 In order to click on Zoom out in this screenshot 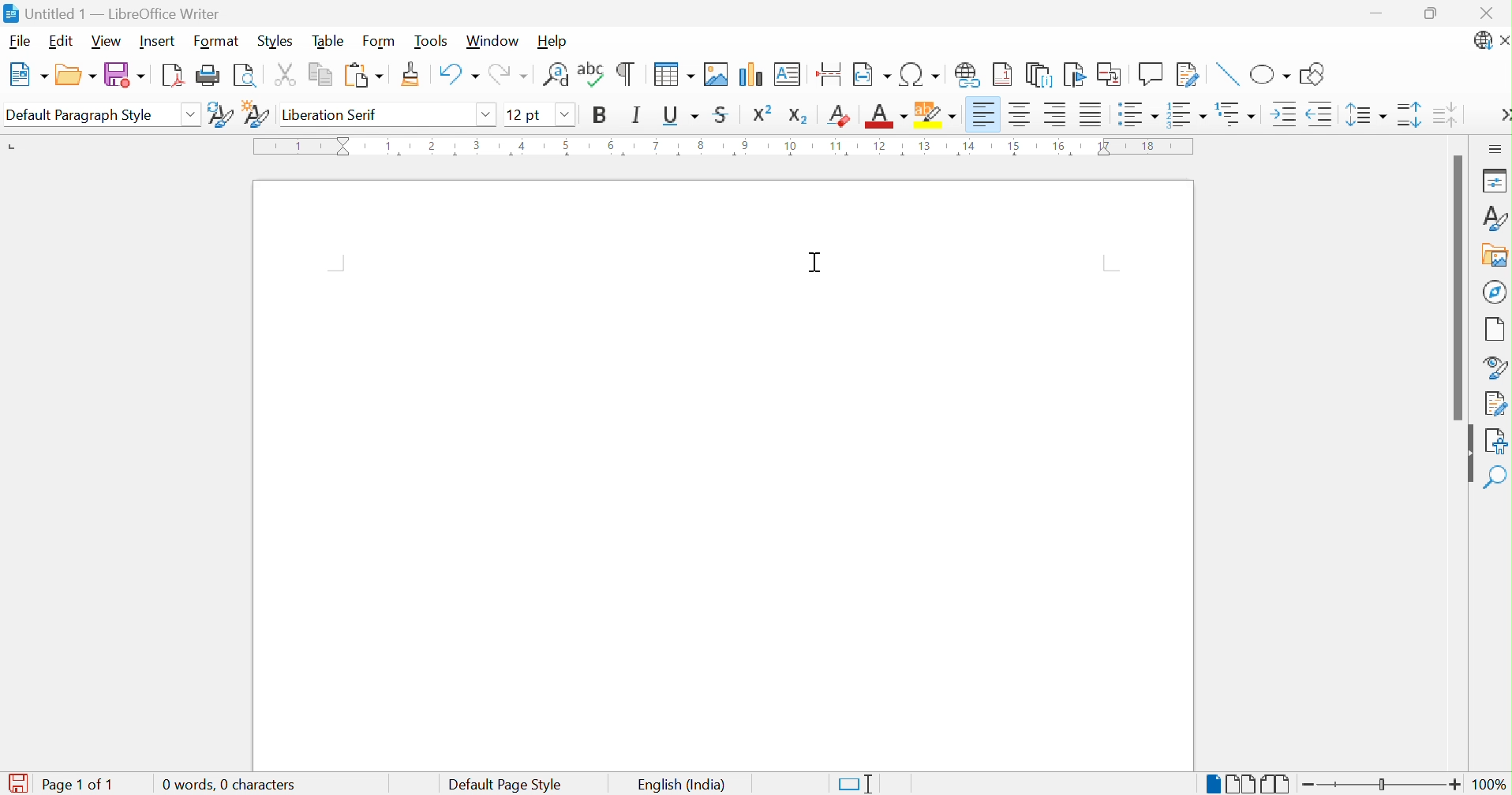, I will do `click(1309, 786)`.